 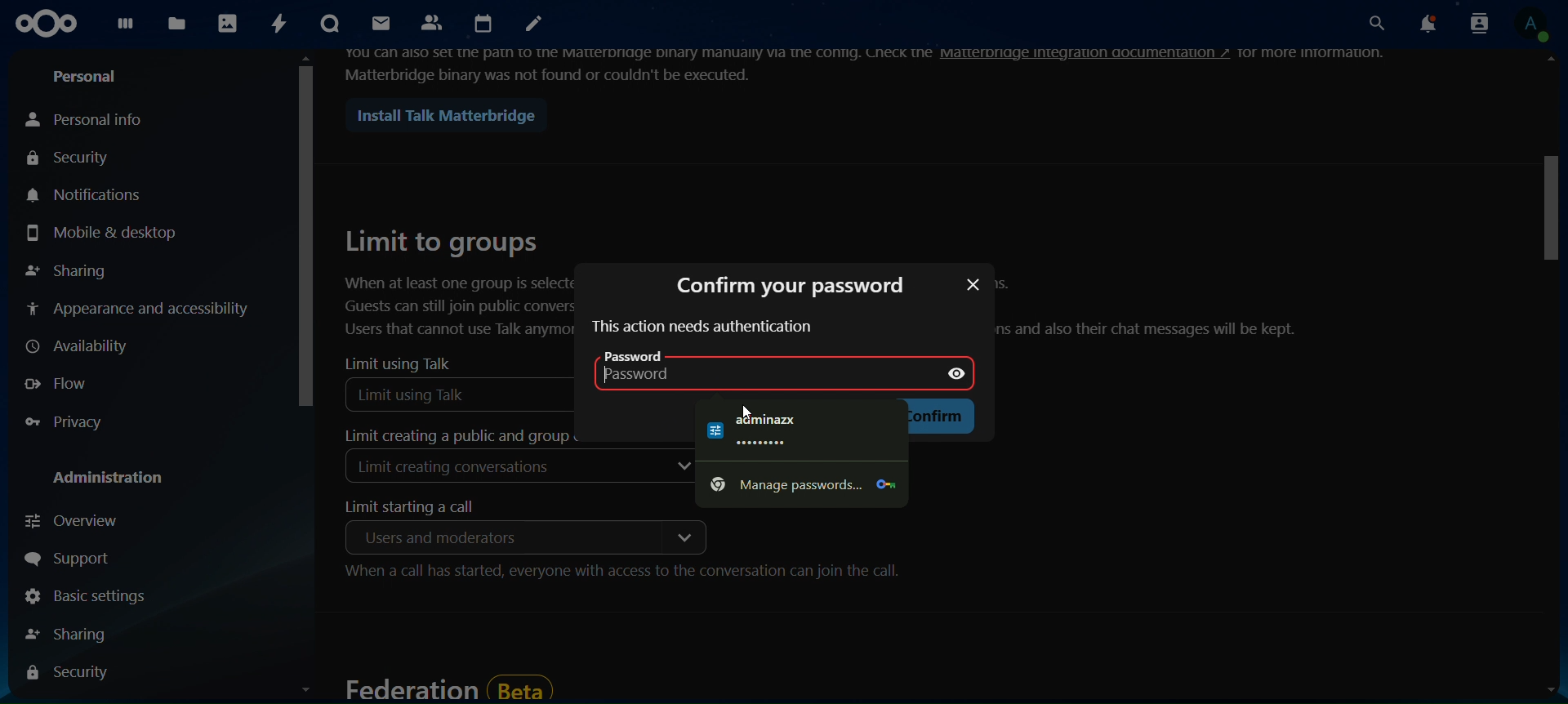 What do you see at coordinates (1086, 53) in the screenshot?
I see `hyperlink` at bounding box center [1086, 53].